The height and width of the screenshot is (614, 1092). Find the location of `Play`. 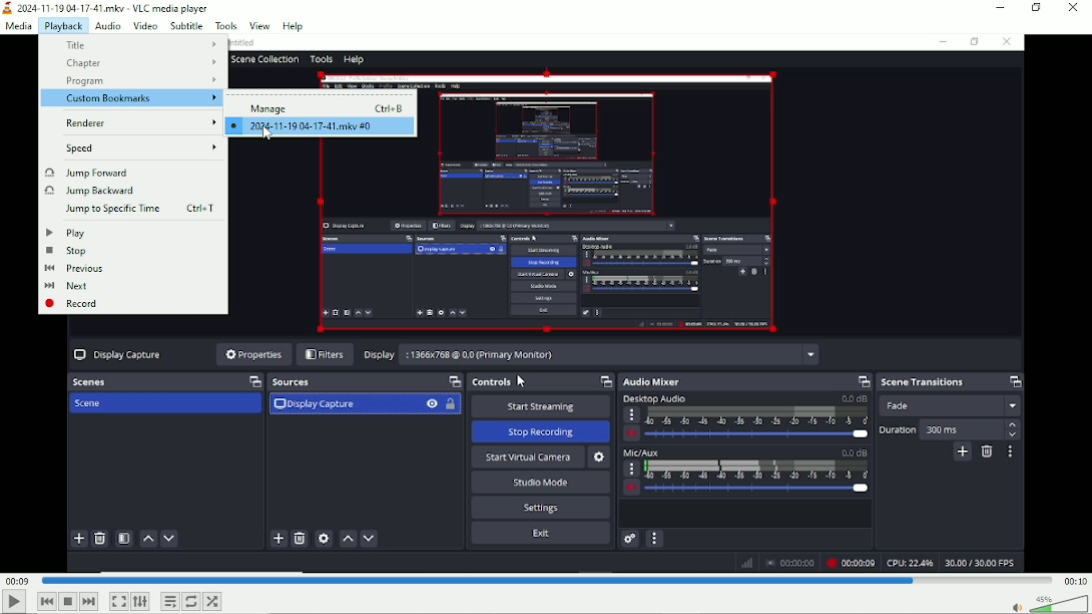

Play is located at coordinates (14, 602).